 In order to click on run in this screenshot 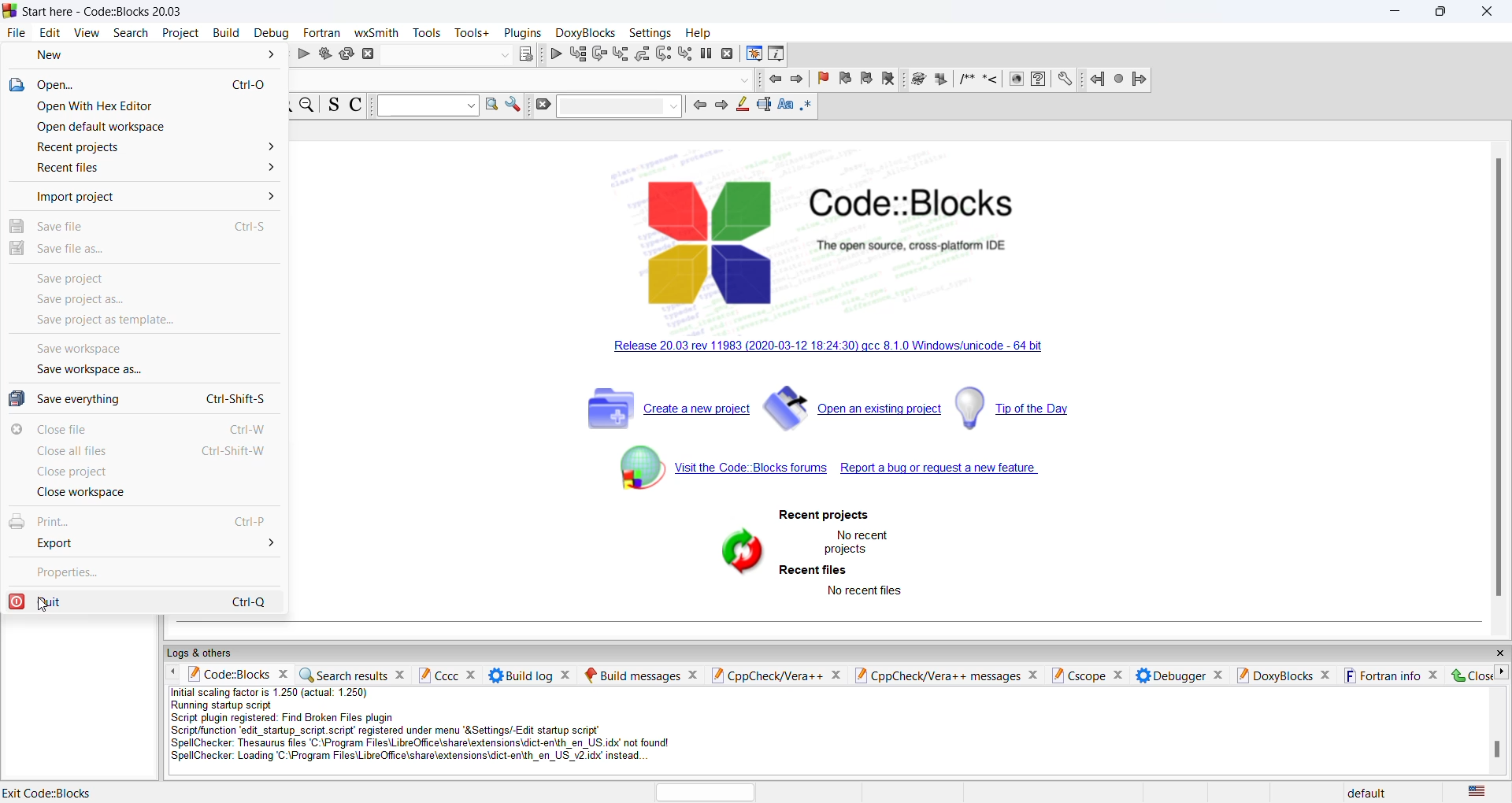, I will do `click(303, 54)`.